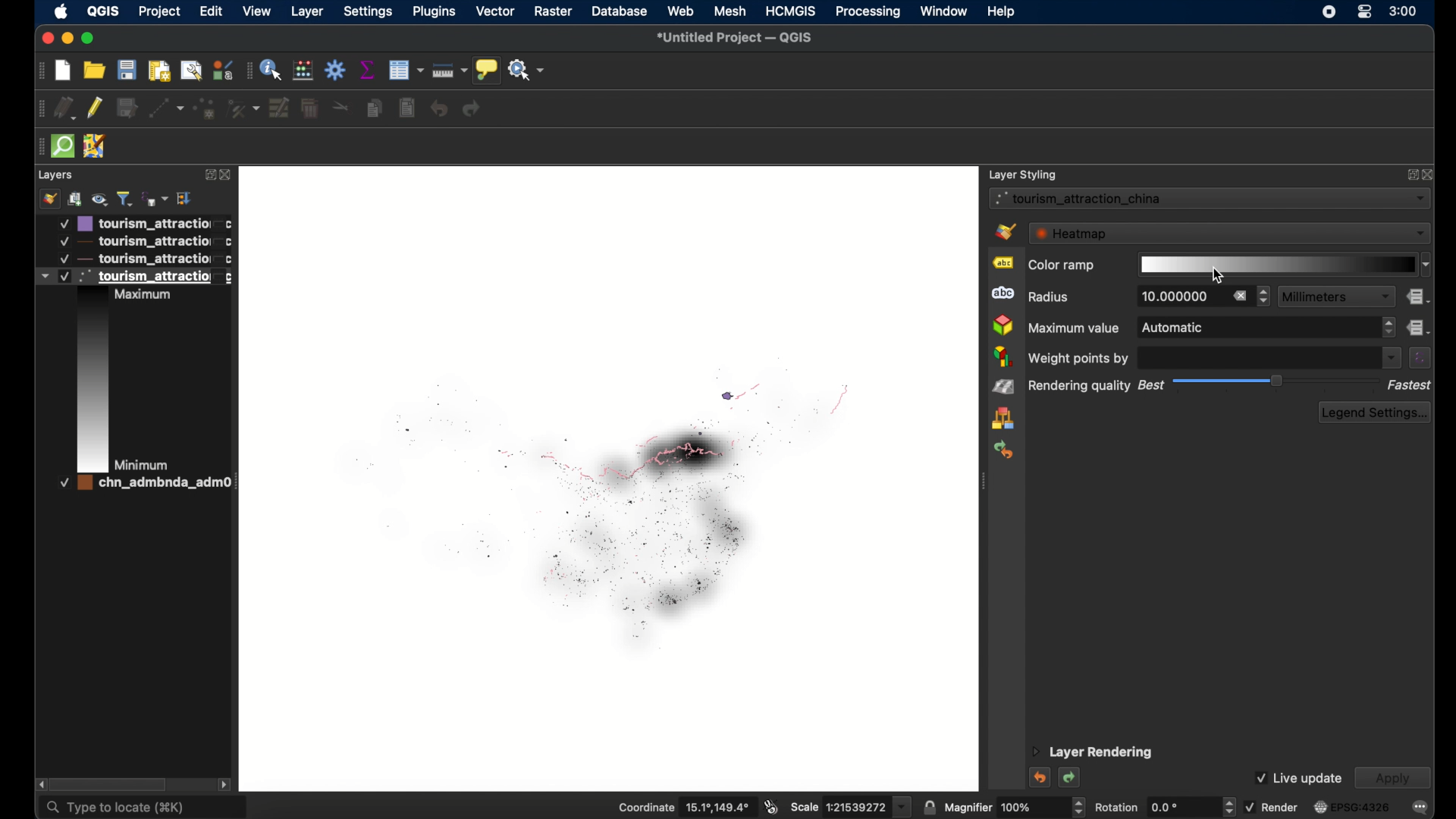 The image size is (1456, 819). I want to click on redo, so click(1070, 779).